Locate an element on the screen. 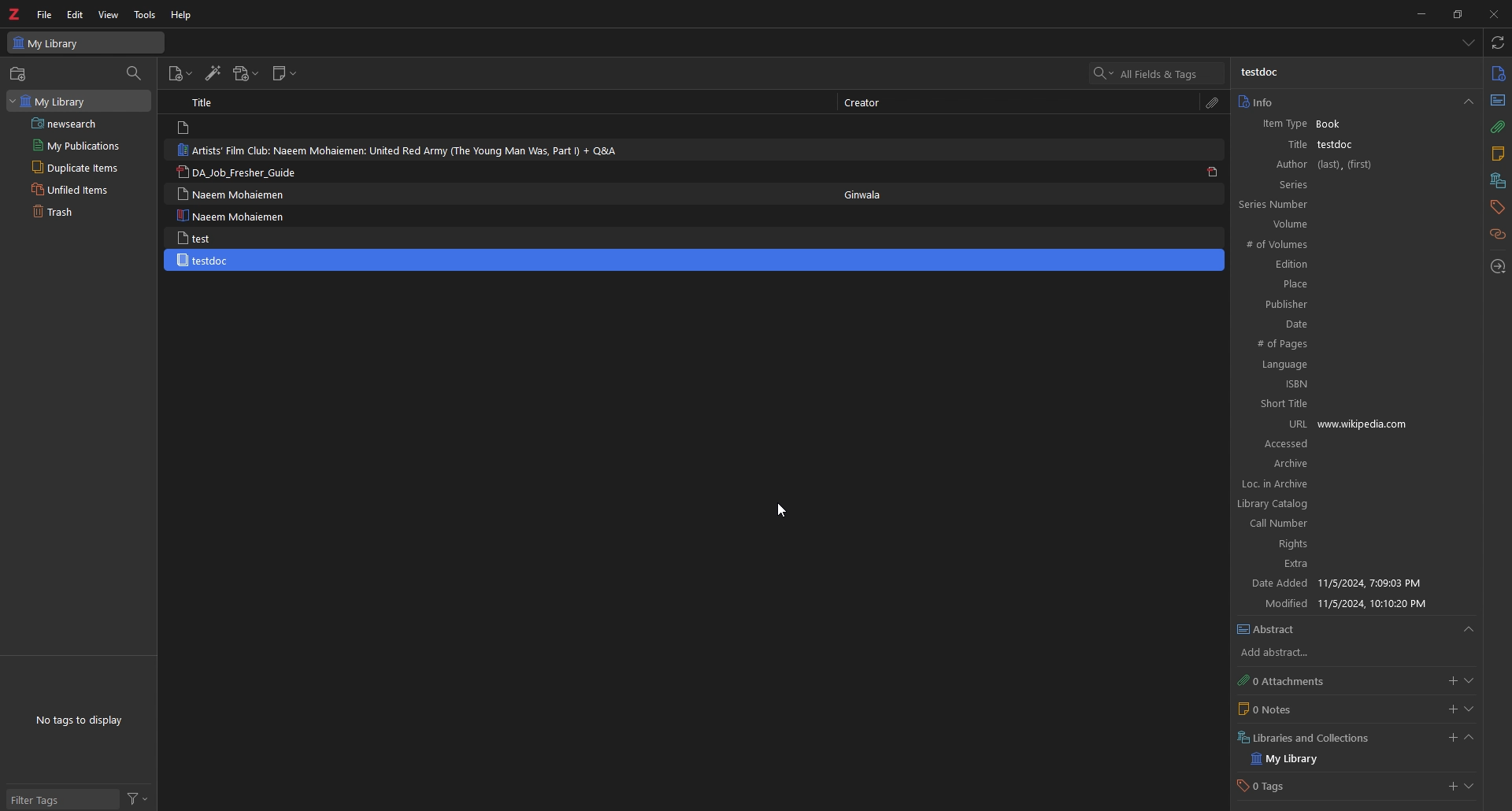 The height and width of the screenshot is (811, 1512). new note is located at coordinates (285, 73).